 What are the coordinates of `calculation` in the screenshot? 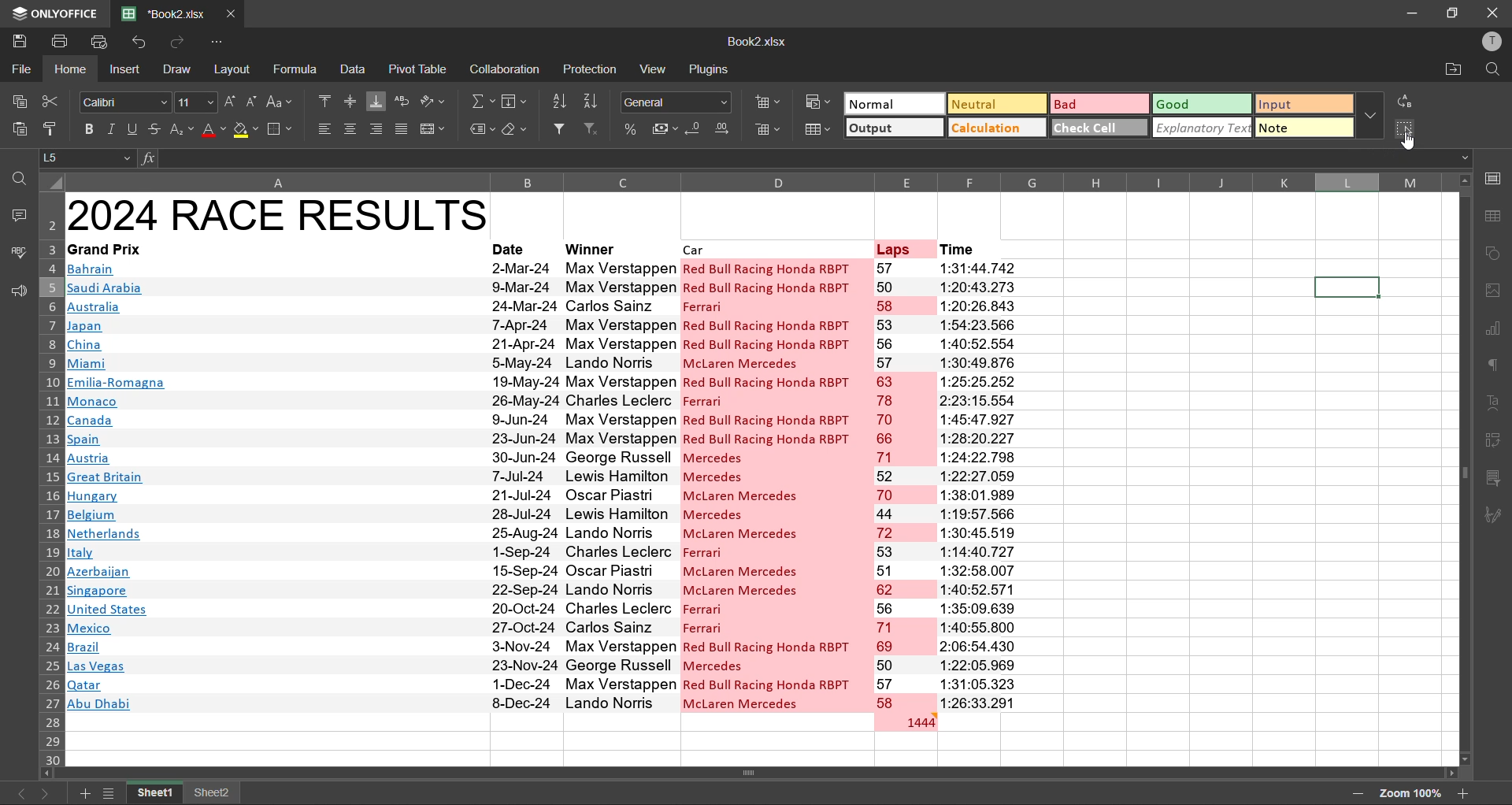 It's located at (999, 128).